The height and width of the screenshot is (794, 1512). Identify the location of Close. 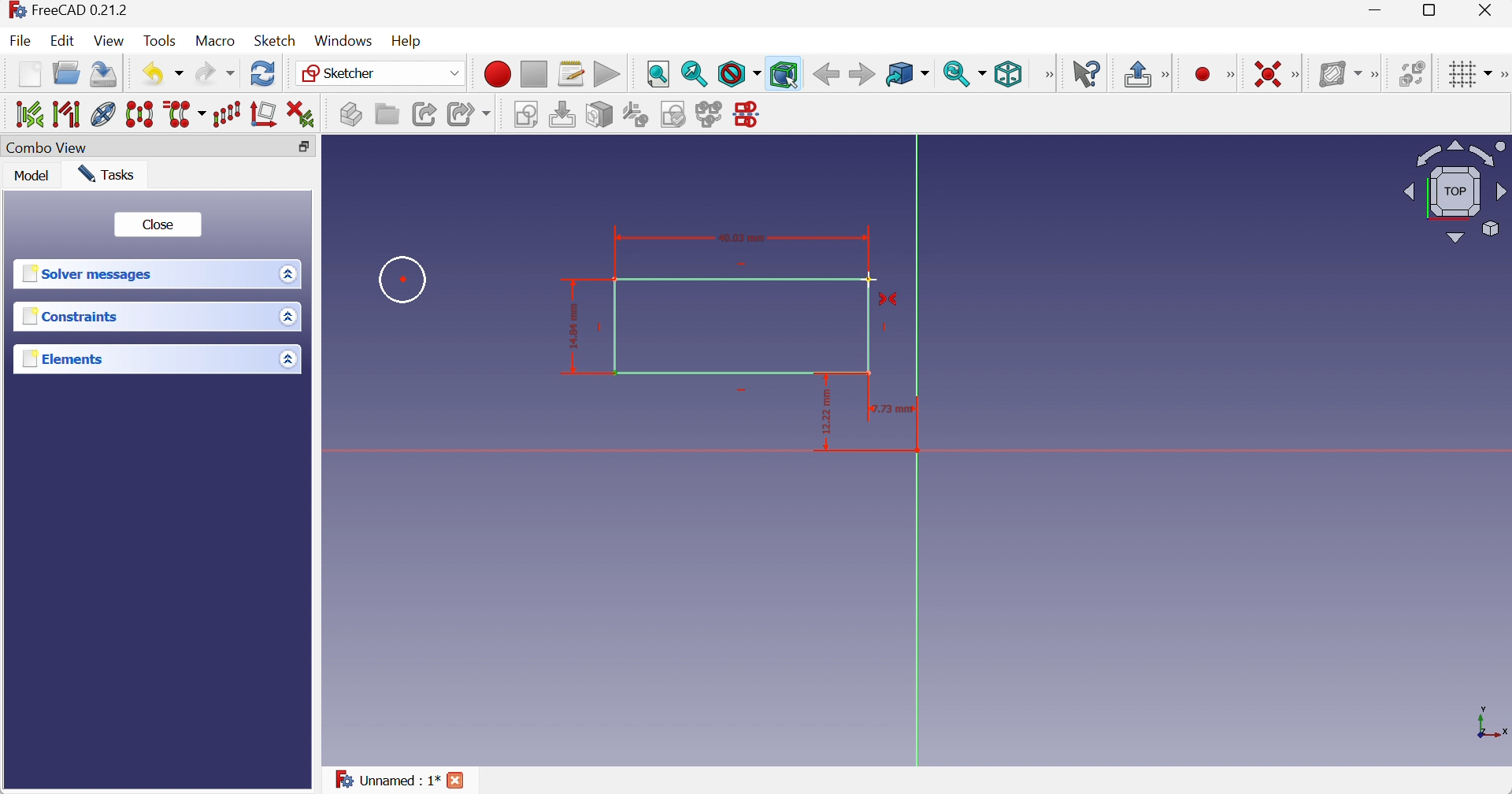
(457, 781).